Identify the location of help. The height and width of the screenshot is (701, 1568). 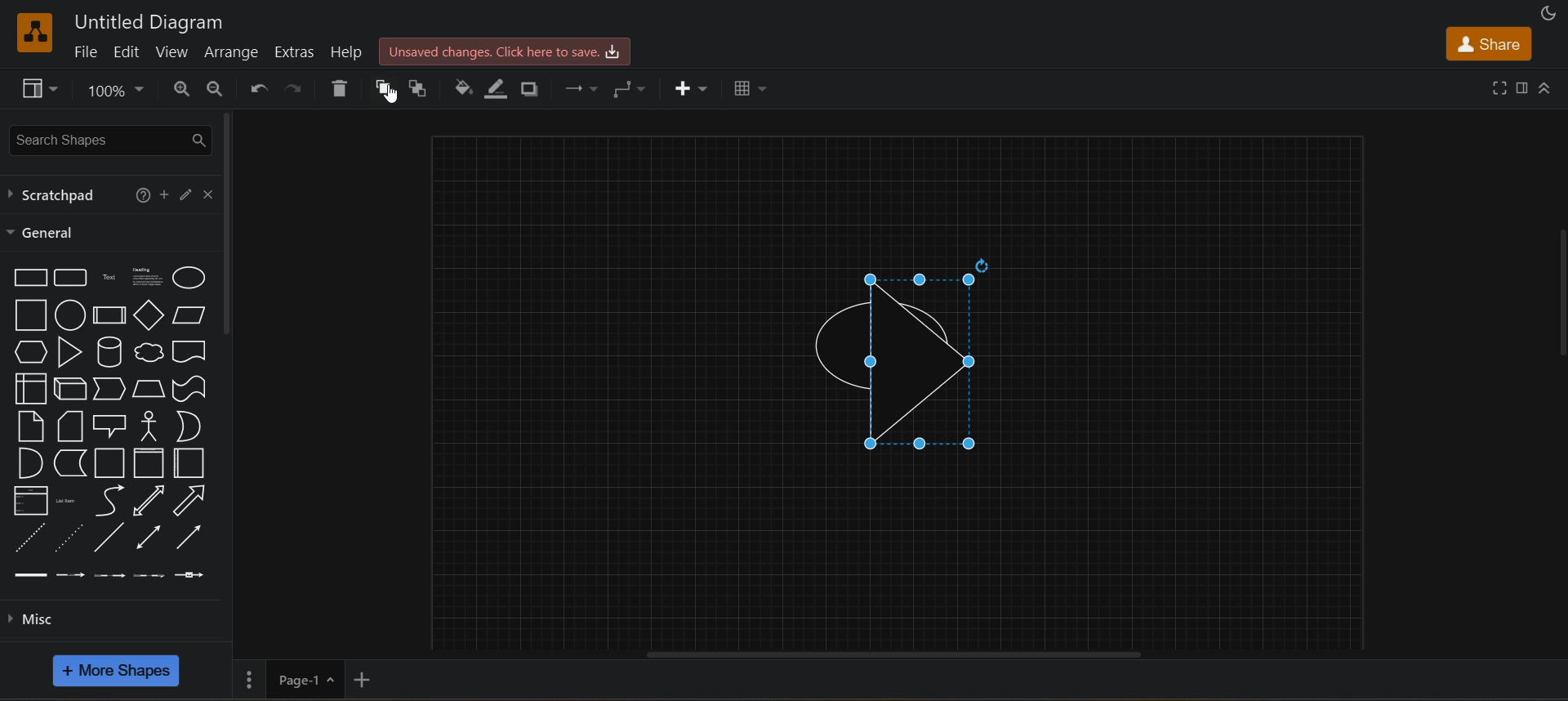
(143, 198).